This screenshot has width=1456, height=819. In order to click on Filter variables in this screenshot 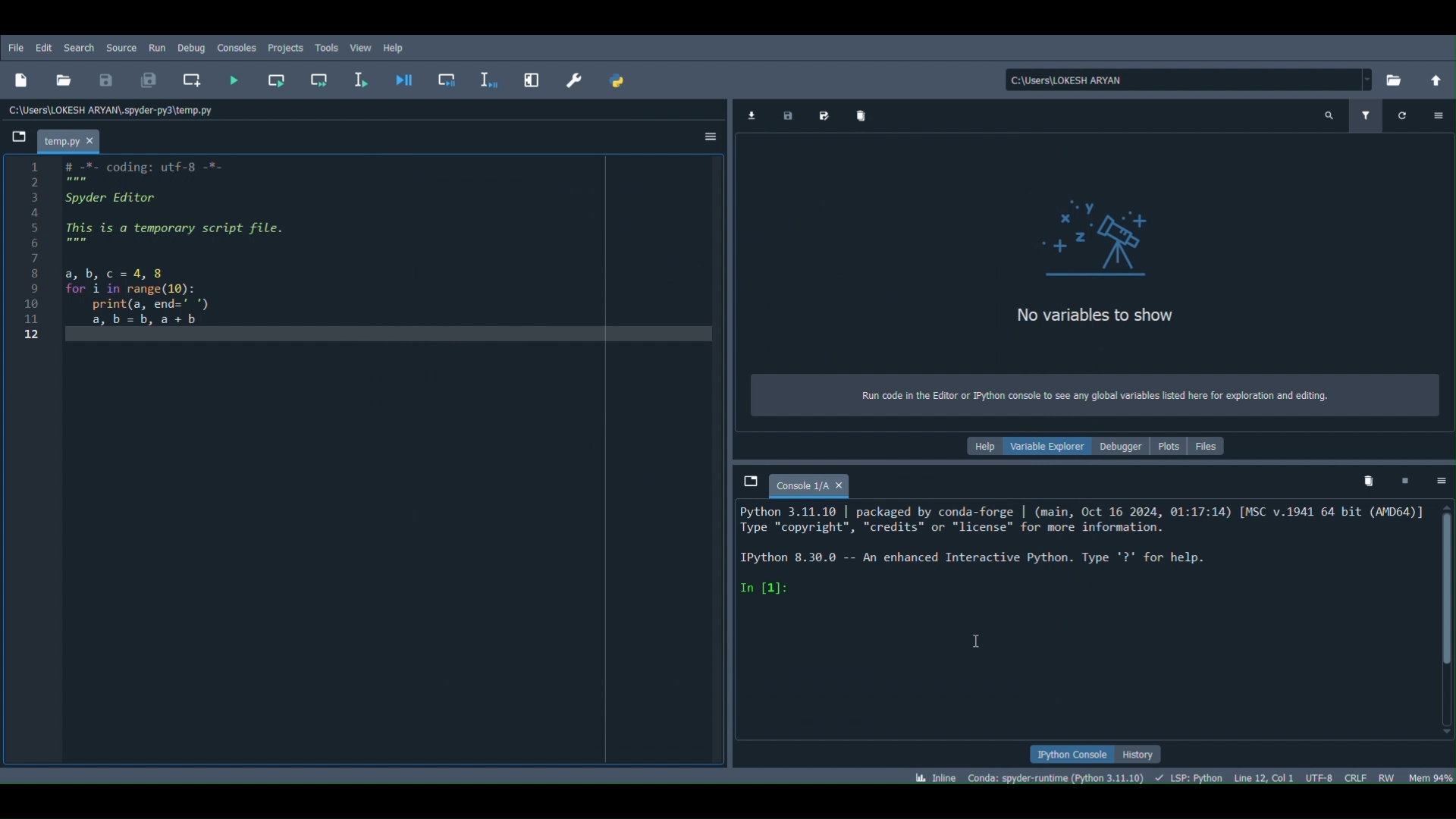, I will do `click(1371, 117)`.